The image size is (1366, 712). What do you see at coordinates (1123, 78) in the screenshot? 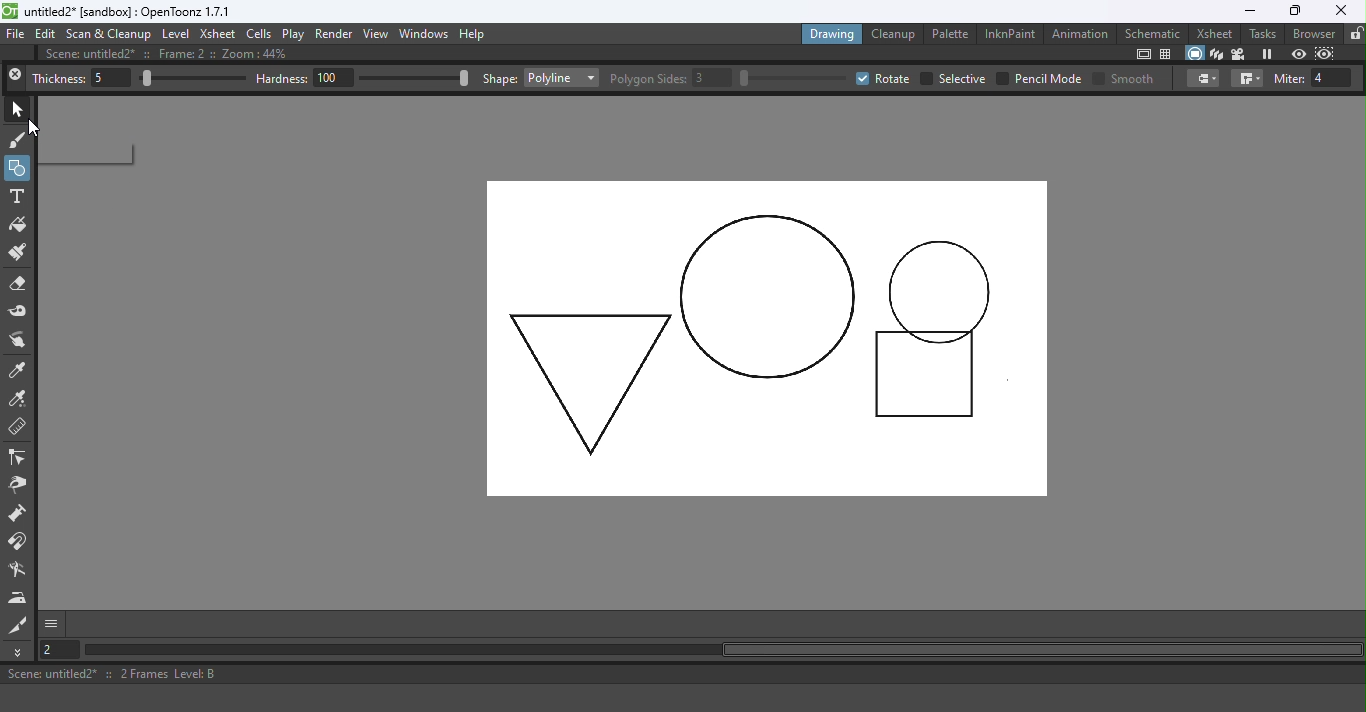
I see `Smooth` at bounding box center [1123, 78].